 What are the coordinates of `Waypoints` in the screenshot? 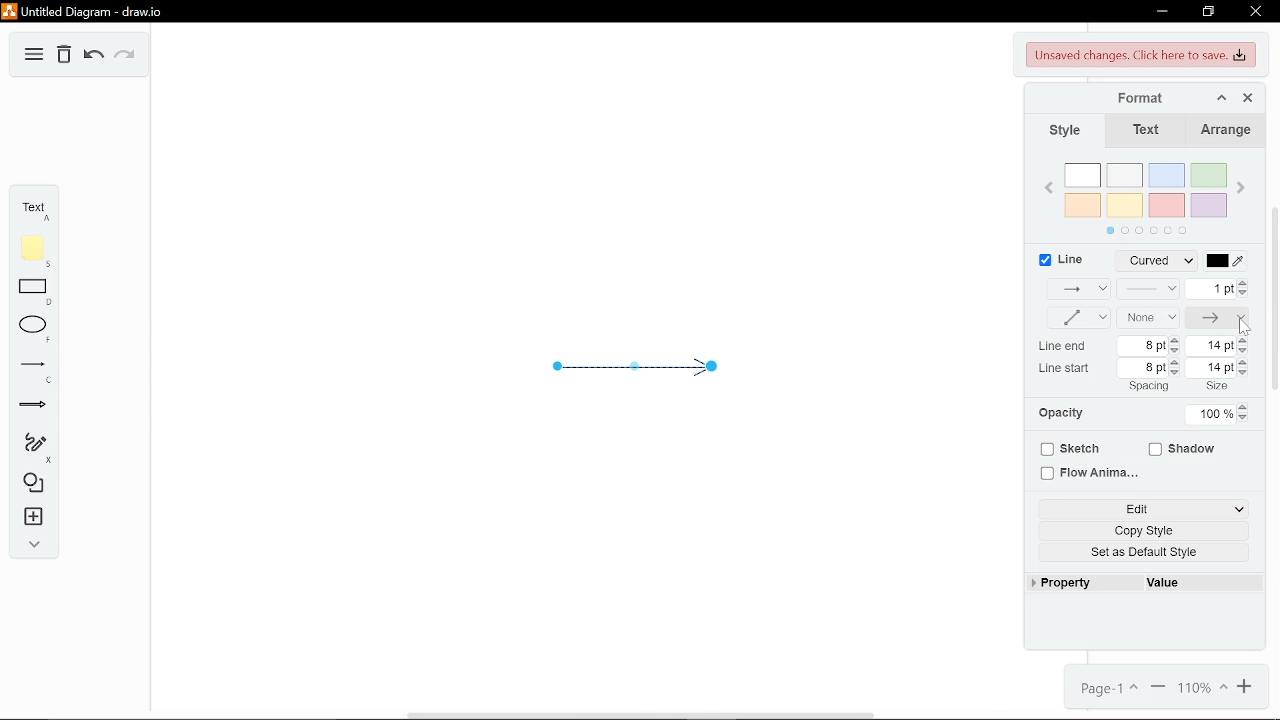 It's located at (1071, 318).